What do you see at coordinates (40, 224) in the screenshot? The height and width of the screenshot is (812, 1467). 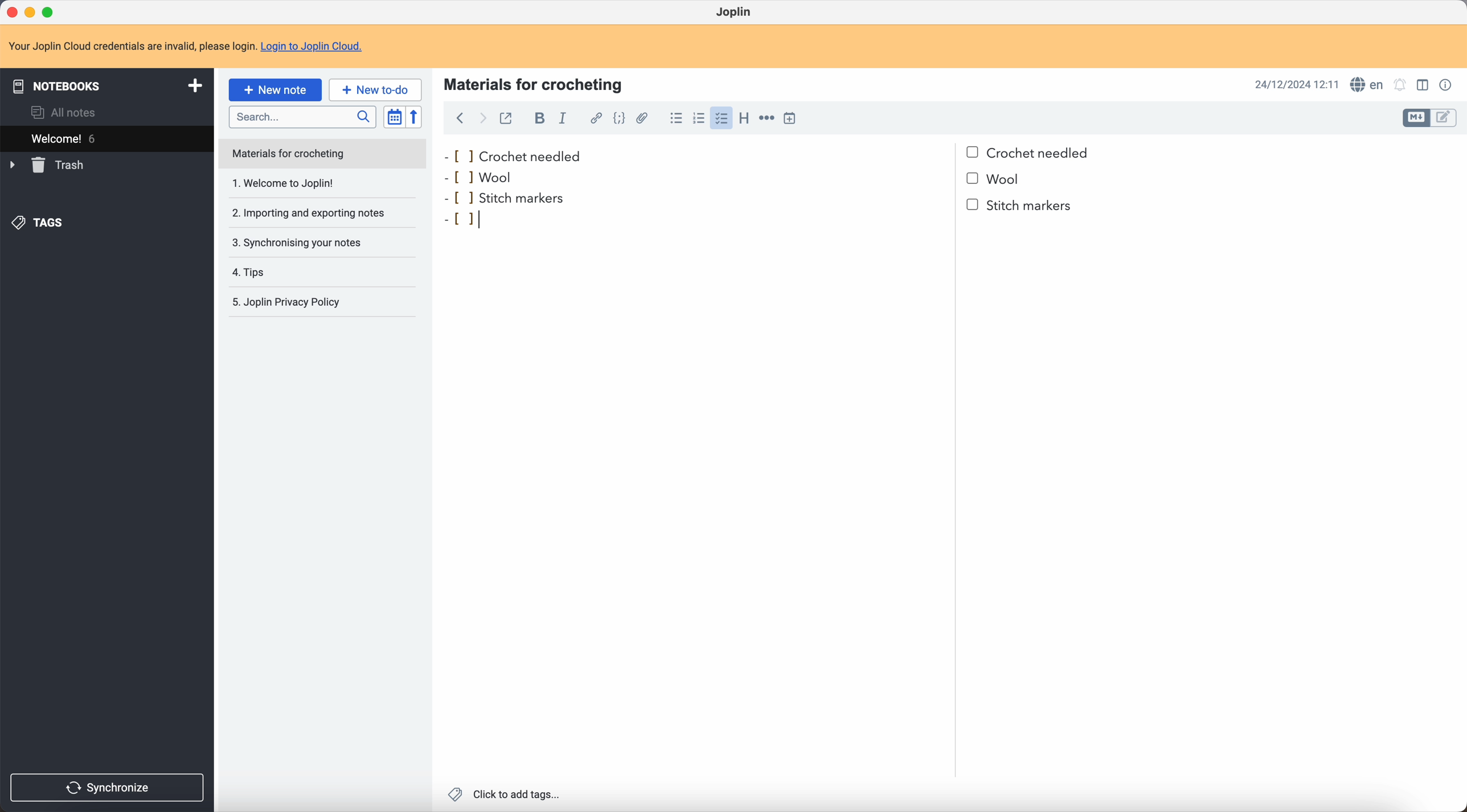 I see `tags` at bounding box center [40, 224].